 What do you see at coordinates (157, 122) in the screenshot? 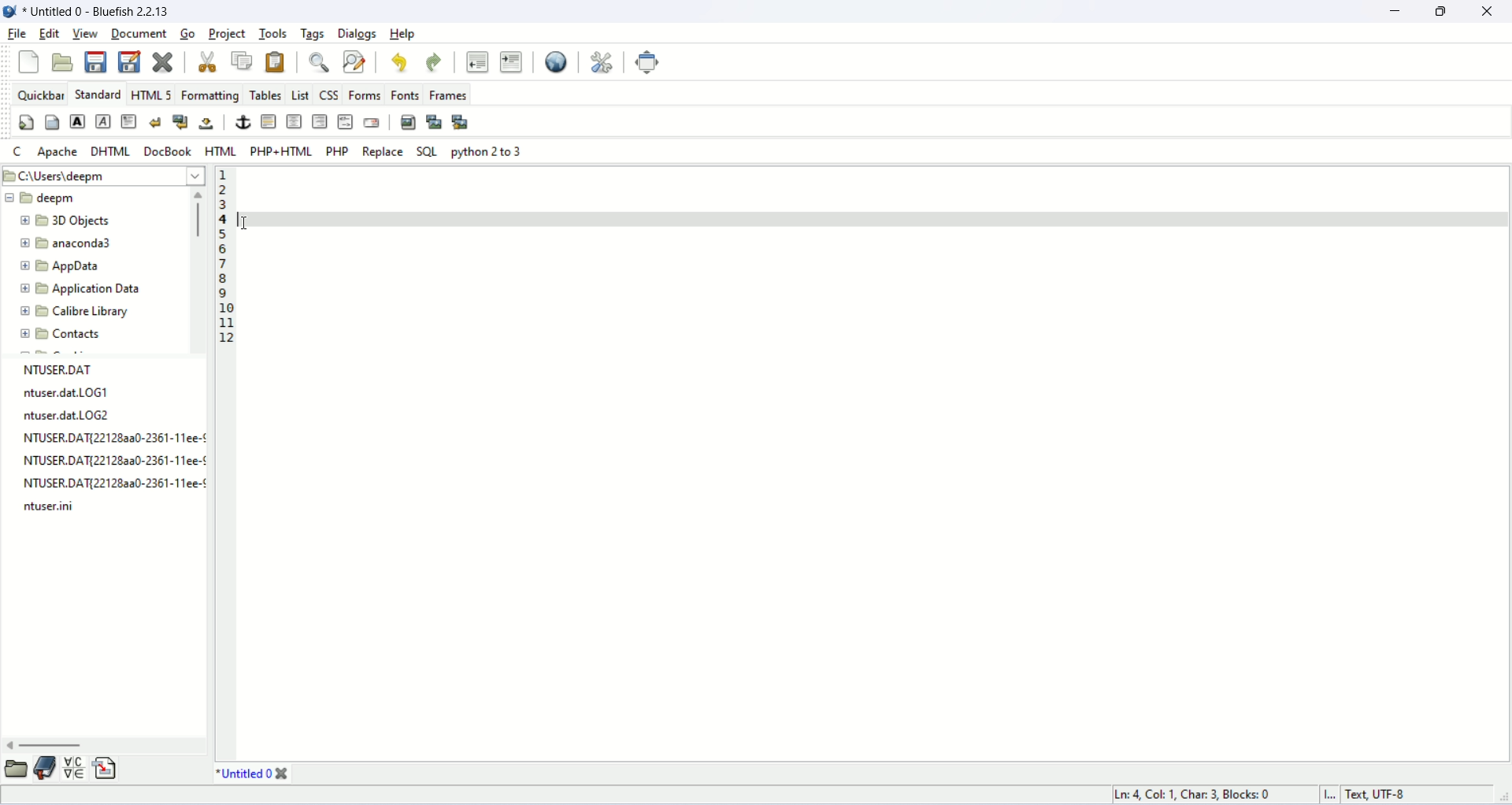
I see `break` at bounding box center [157, 122].